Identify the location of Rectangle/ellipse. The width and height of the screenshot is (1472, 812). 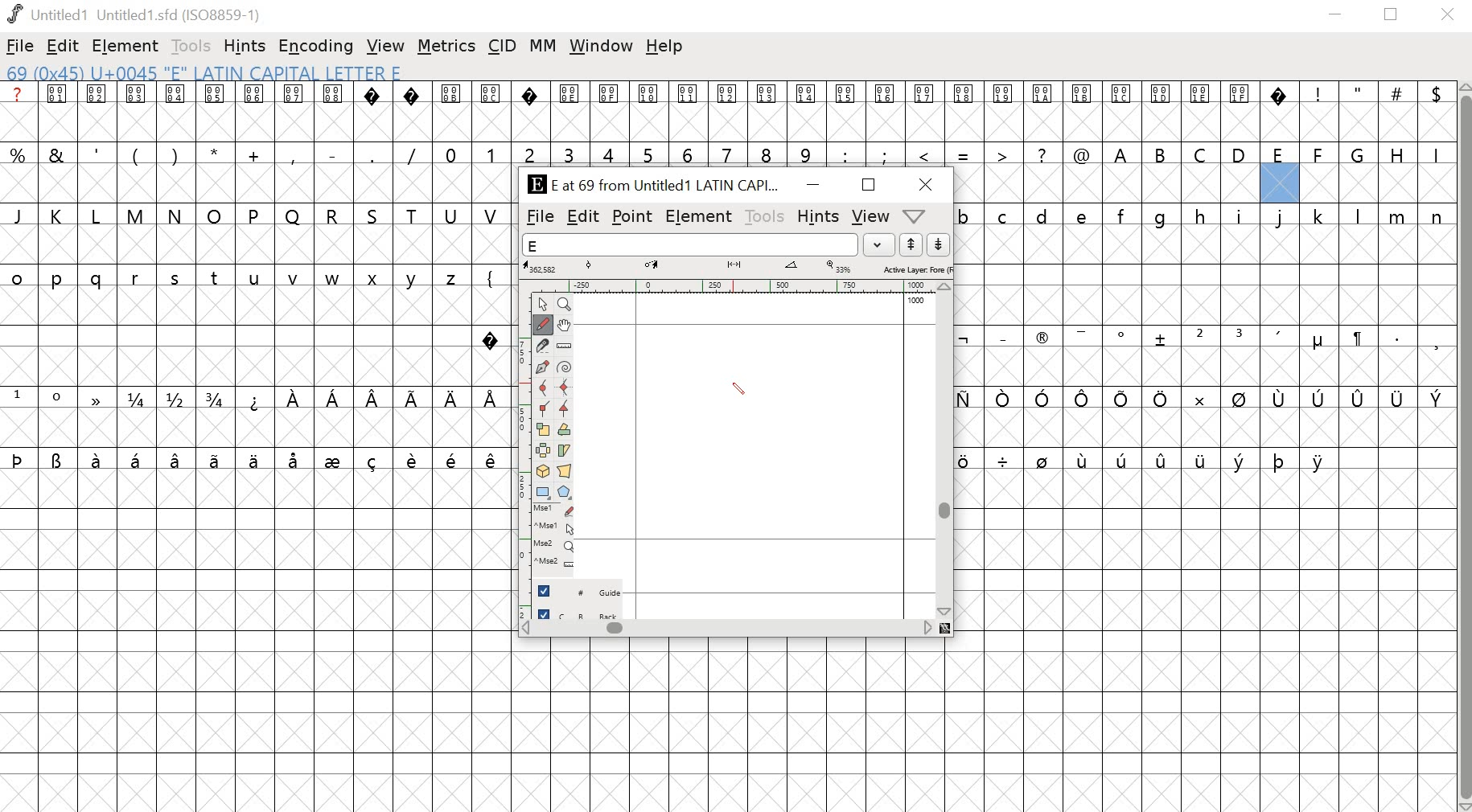
(542, 493).